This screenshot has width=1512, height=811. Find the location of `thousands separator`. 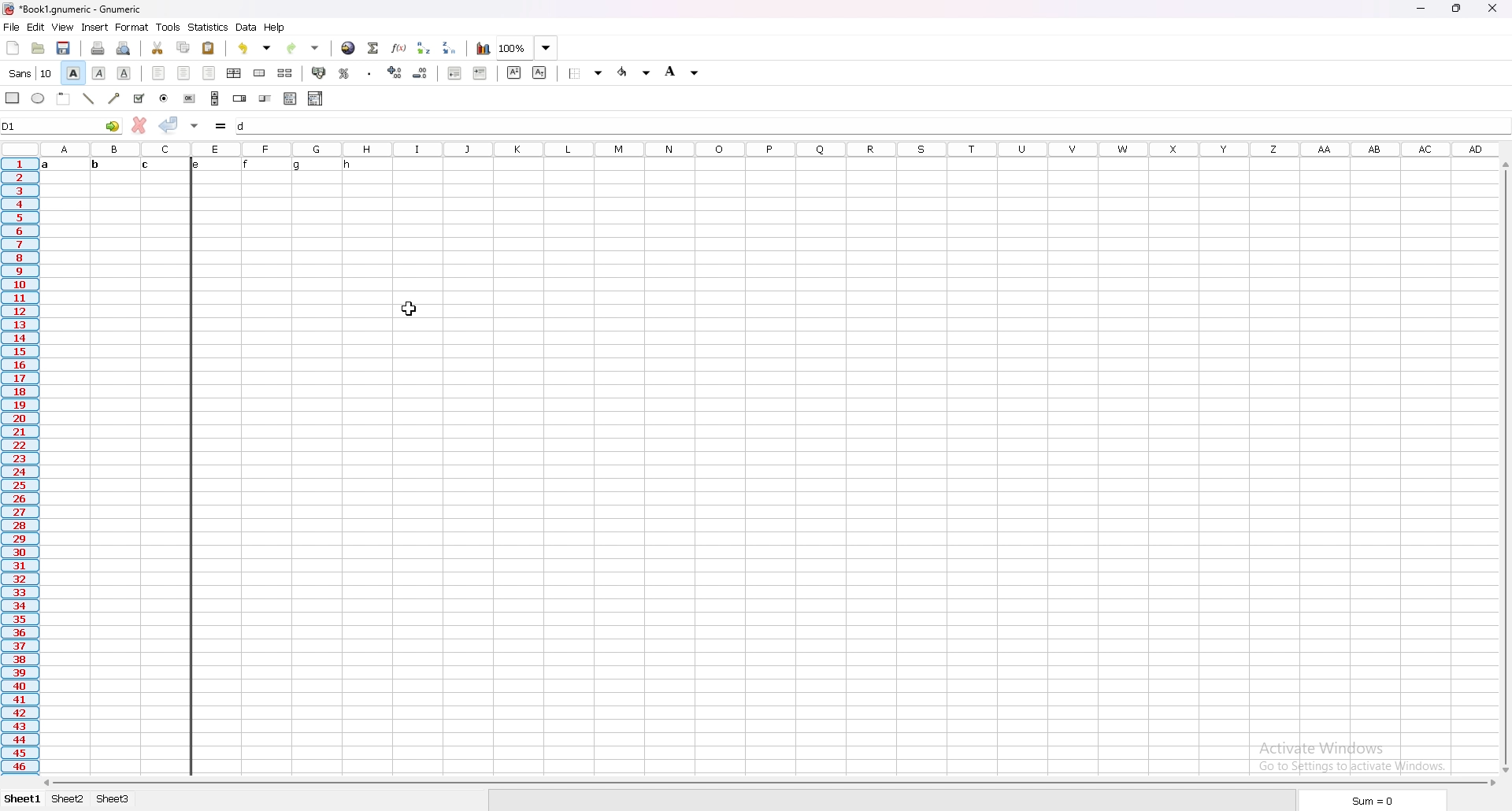

thousands separator is located at coordinates (370, 74).